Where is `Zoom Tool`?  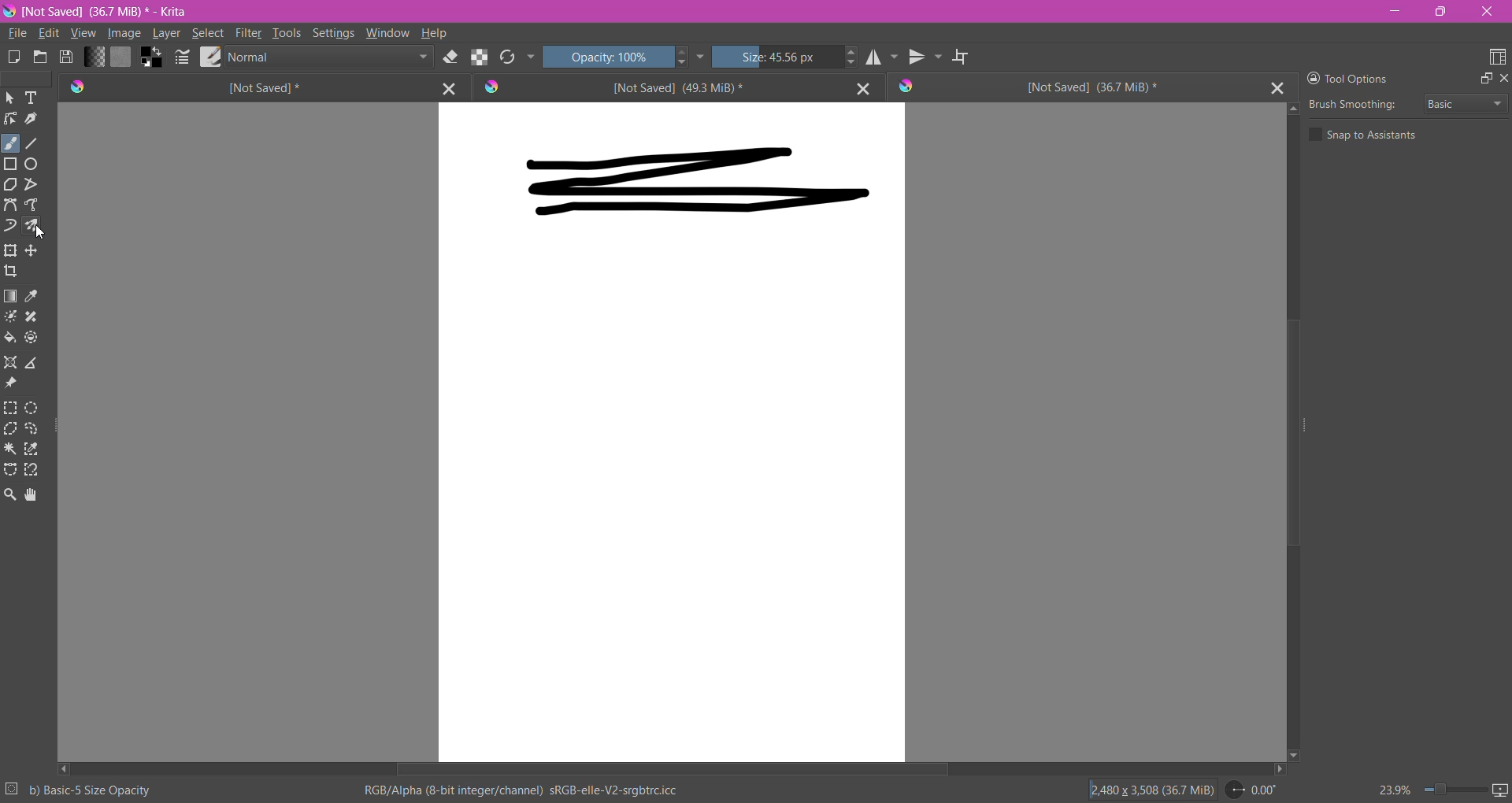
Zoom Tool is located at coordinates (11, 495).